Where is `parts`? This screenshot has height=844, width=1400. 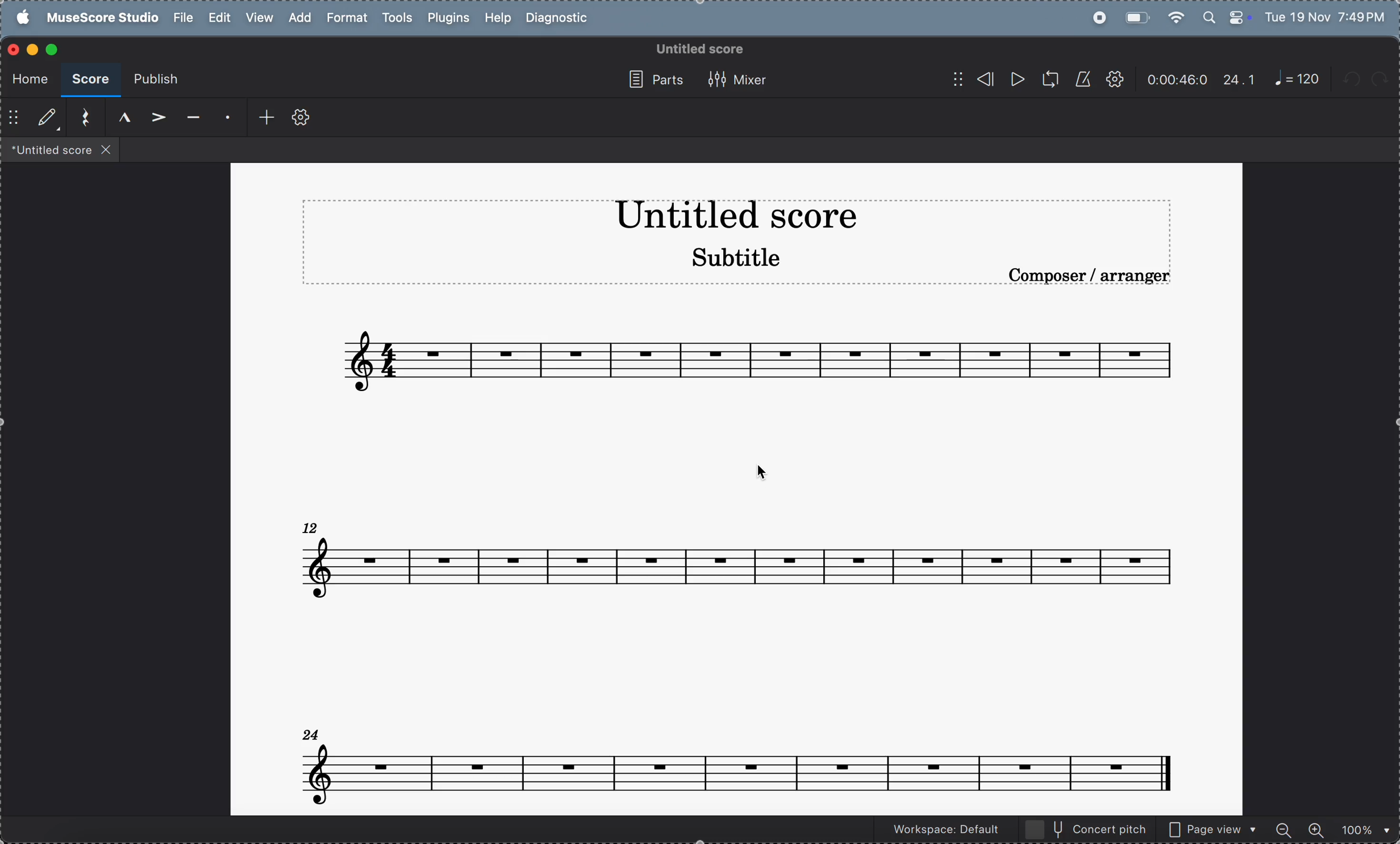 parts is located at coordinates (649, 80).